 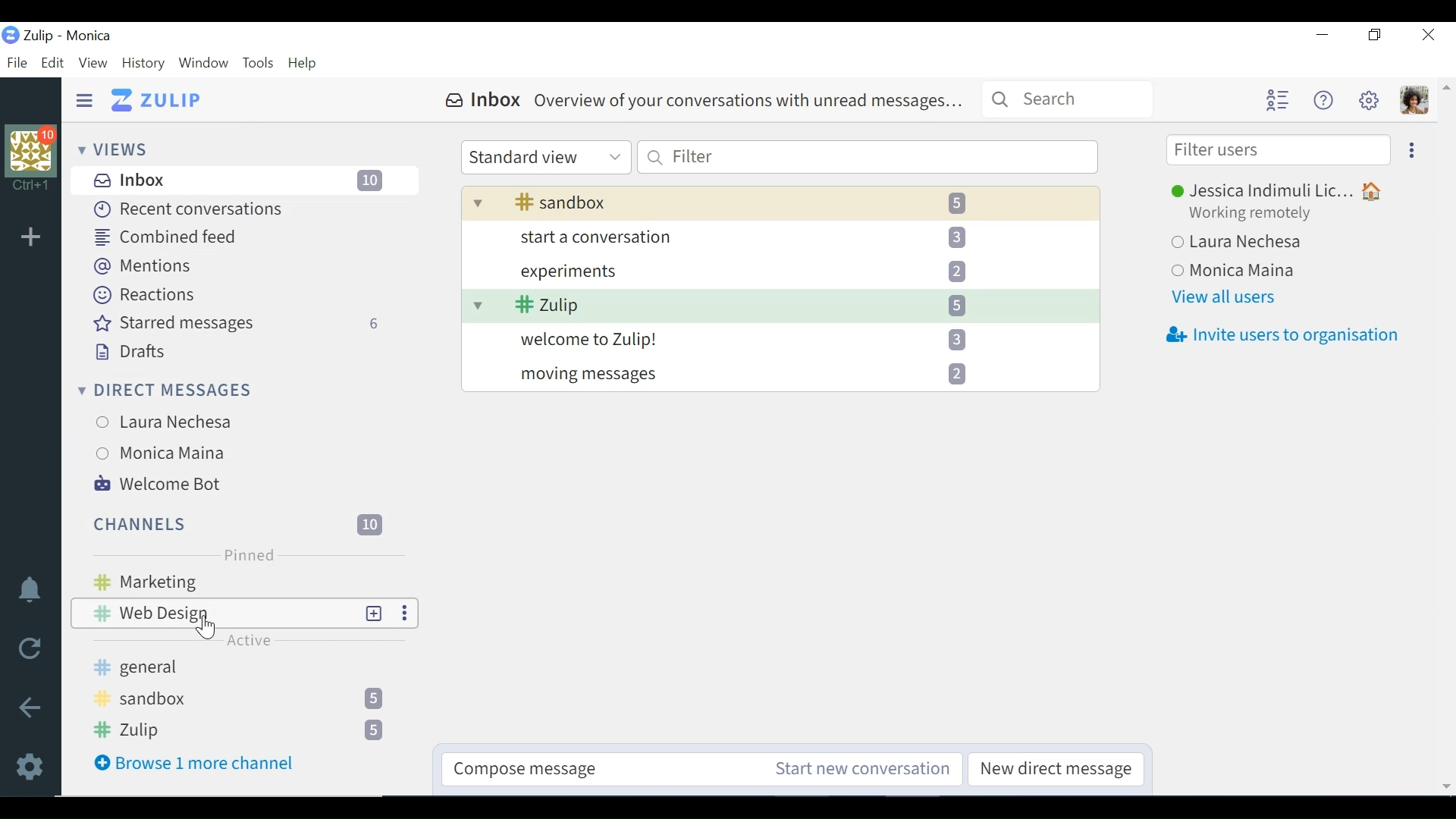 What do you see at coordinates (158, 101) in the screenshot?
I see `Go to Home View (inbox)` at bounding box center [158, 101].